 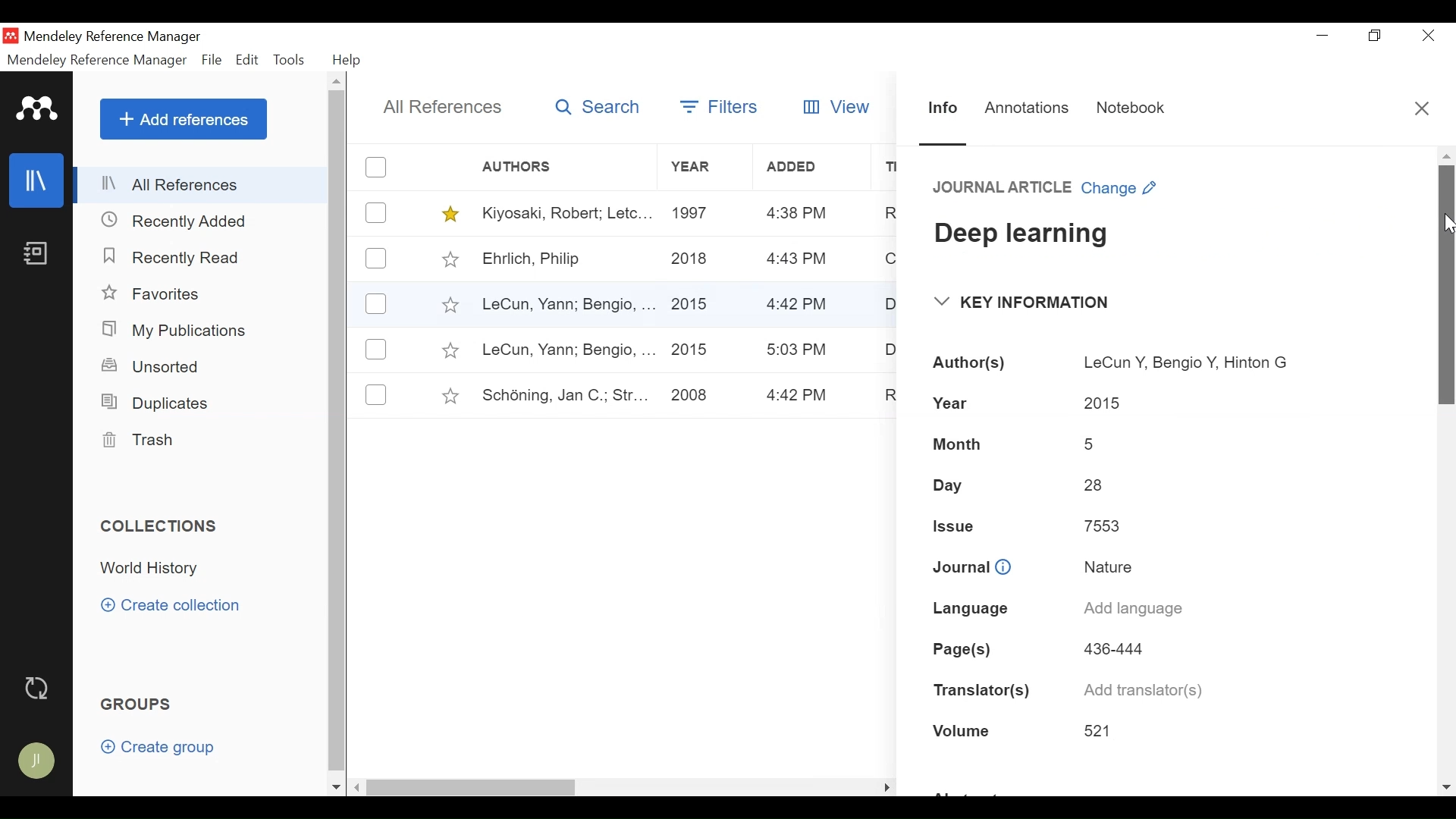 What do you see at coordinates (694, 212) in the screenshot?
I see `1997` at bounding box center [694, 212].